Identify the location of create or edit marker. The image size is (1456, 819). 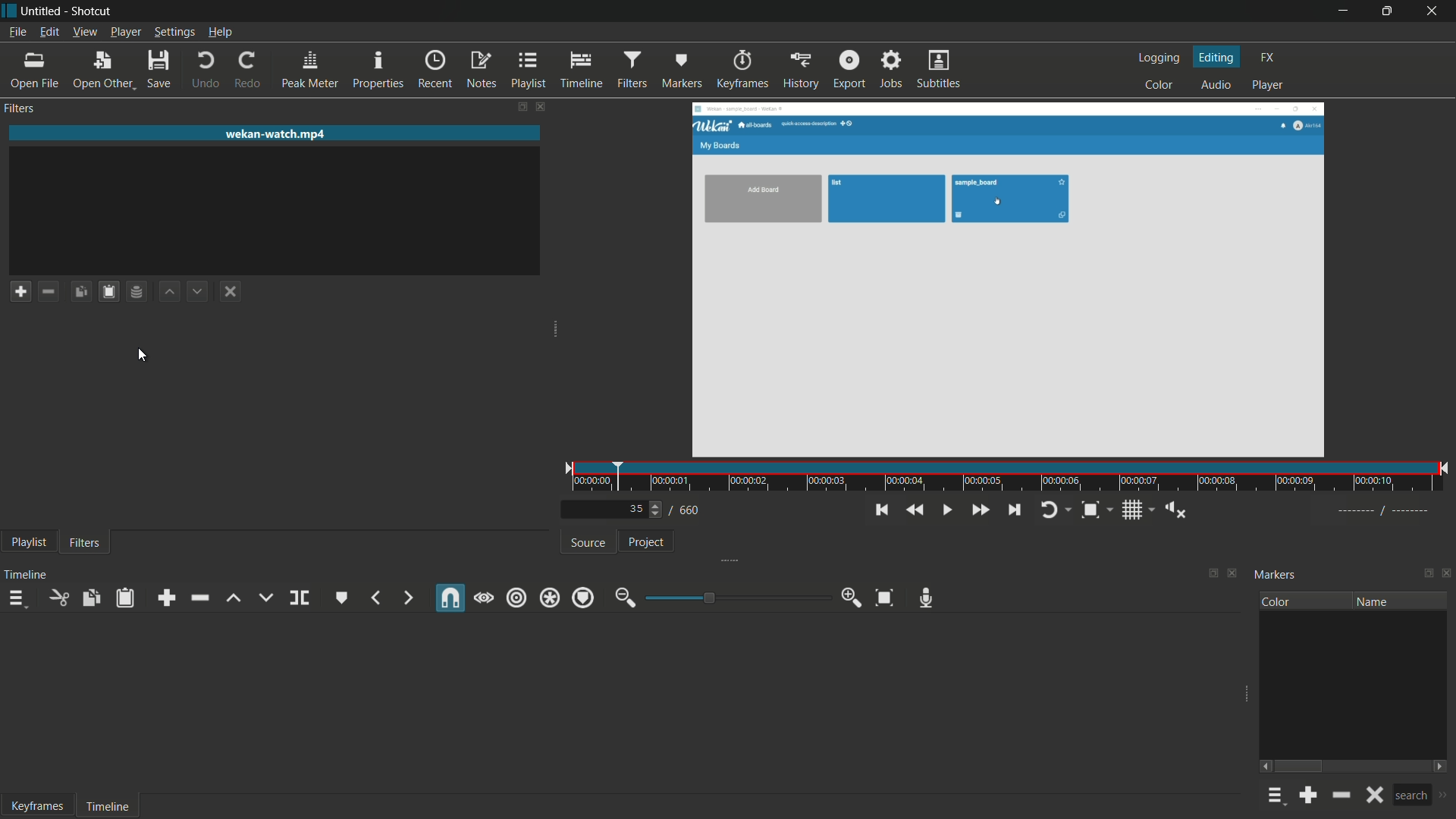
(340, 597).